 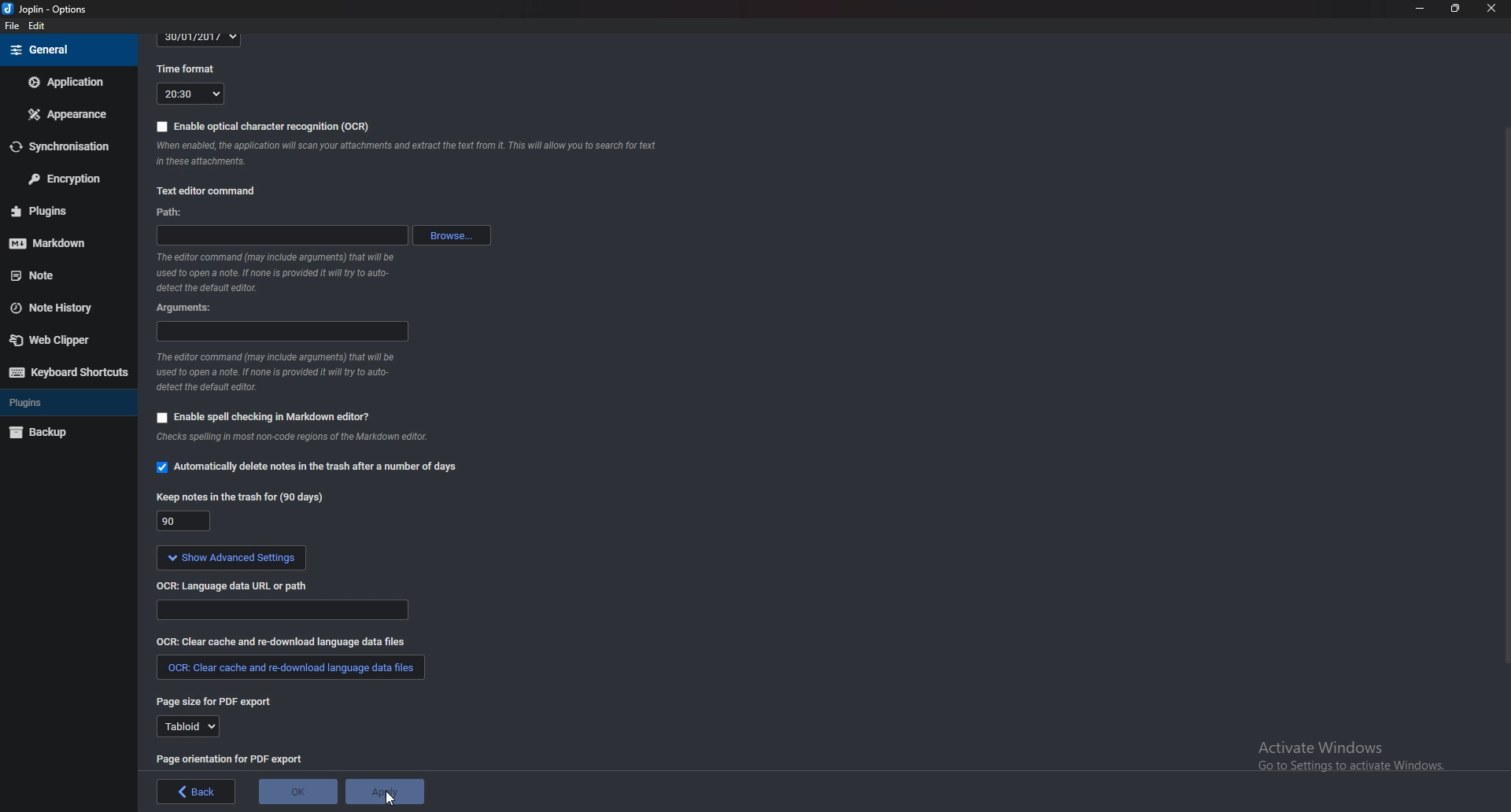 I want to click on Encryption, so click(x=66, y=177).